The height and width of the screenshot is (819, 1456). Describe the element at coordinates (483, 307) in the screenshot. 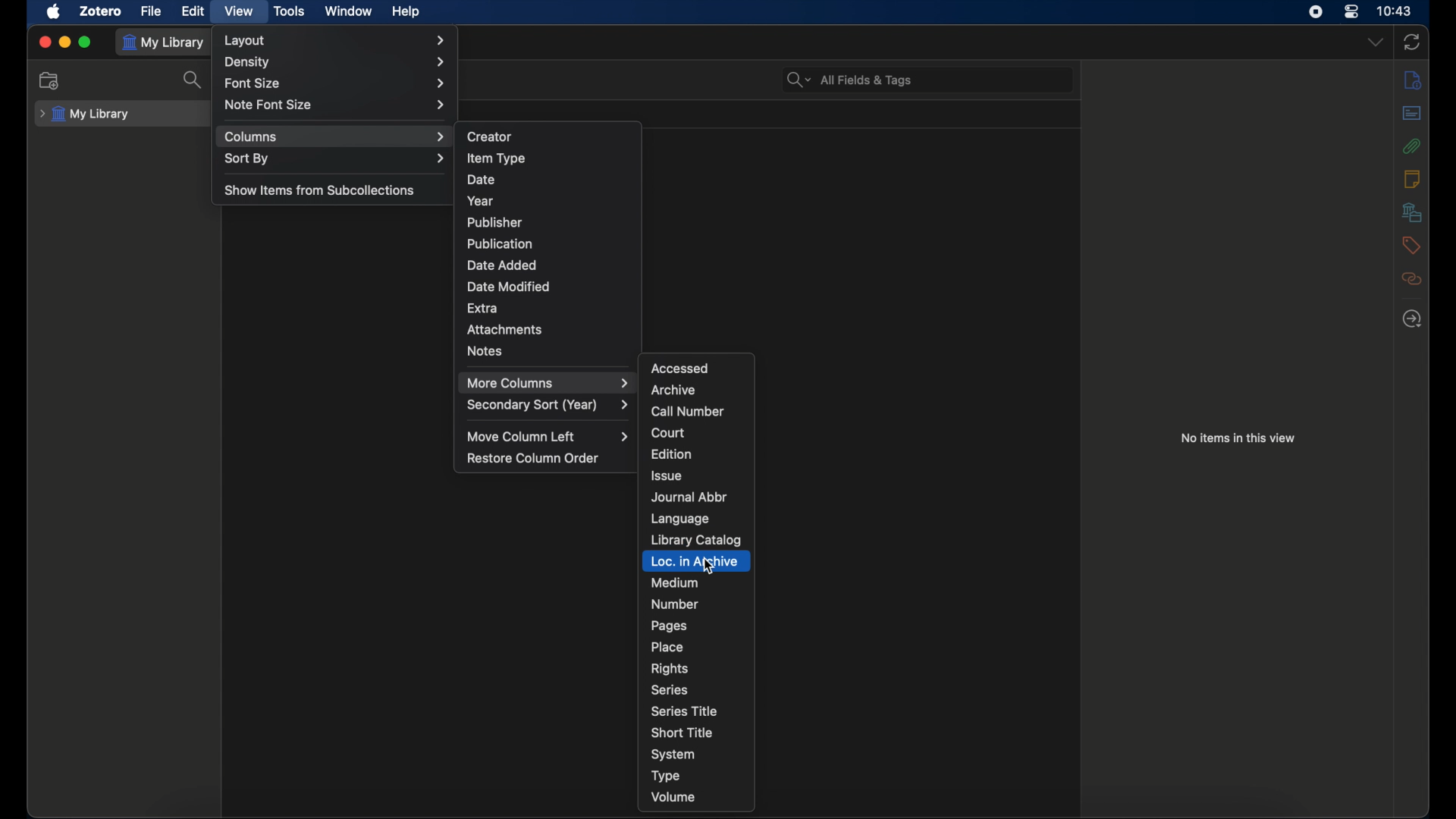

I see `extra` at that location.